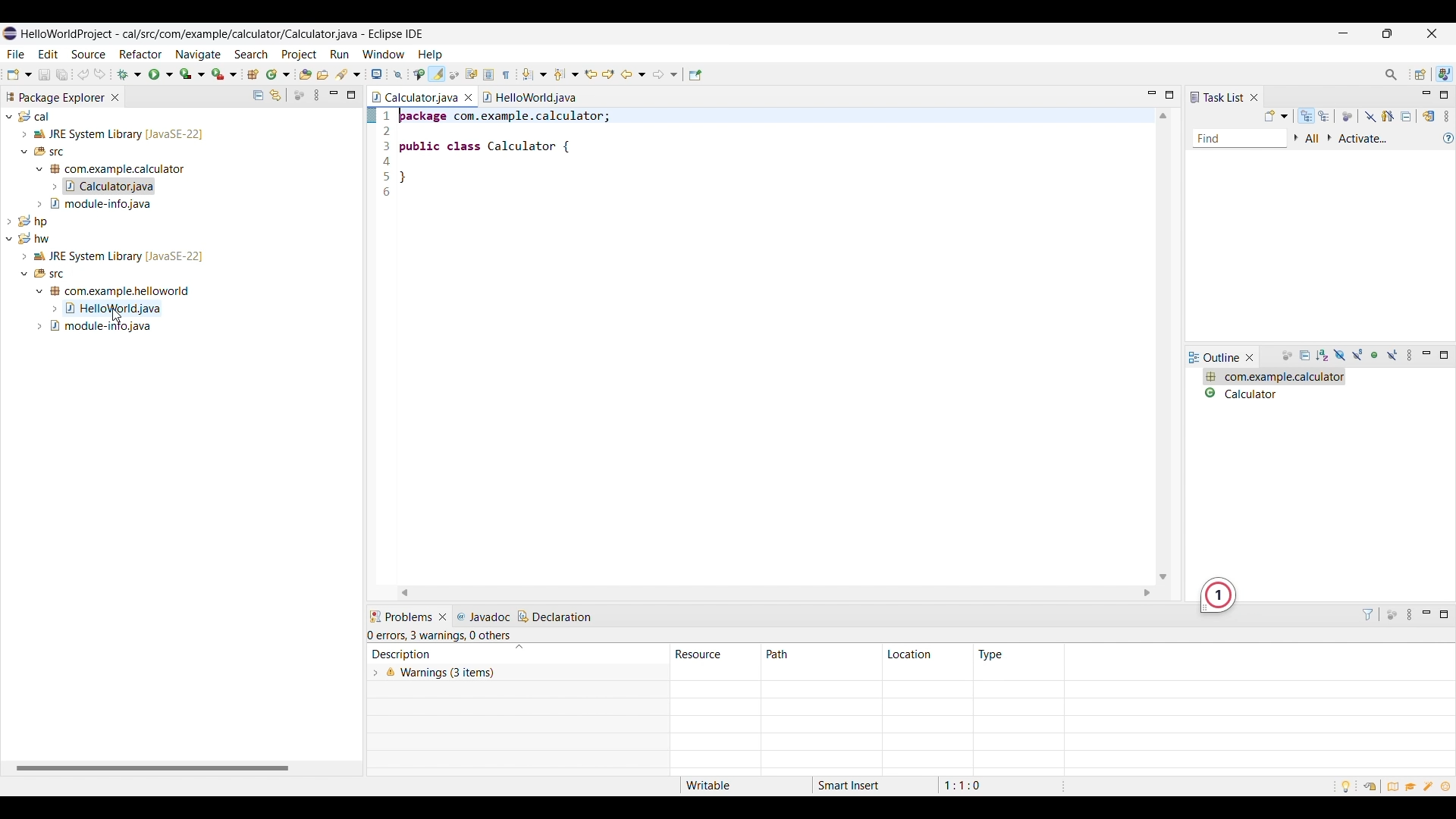  Describe the element at coordinates (556, 617) in the screenshot. I see `Declaration tab` at that location.